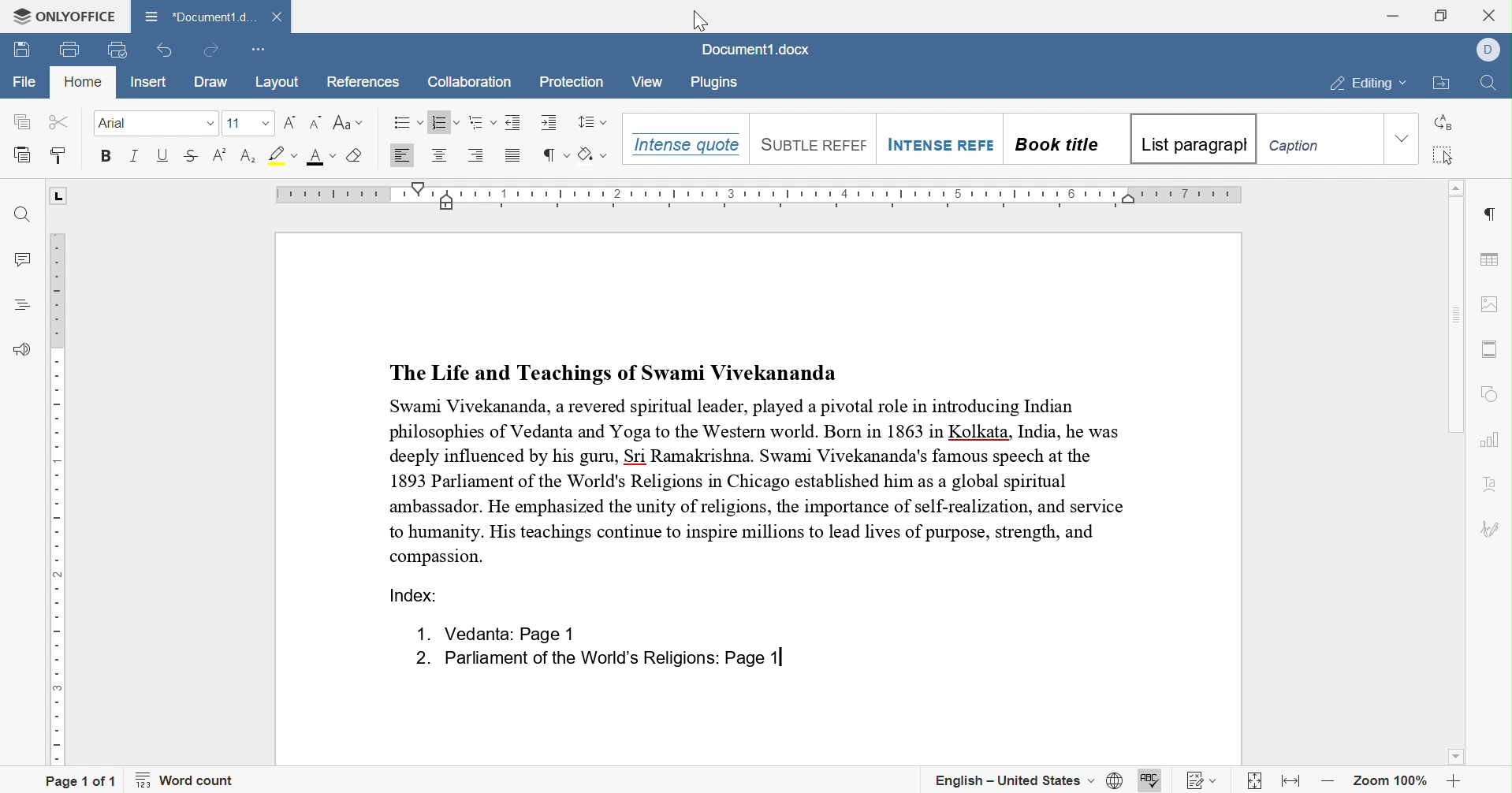 The image size is (1512, 793). What do you see at coordinates (62, 498) in the screenshot?
I see `ruler` at bounding box center [62, 498].